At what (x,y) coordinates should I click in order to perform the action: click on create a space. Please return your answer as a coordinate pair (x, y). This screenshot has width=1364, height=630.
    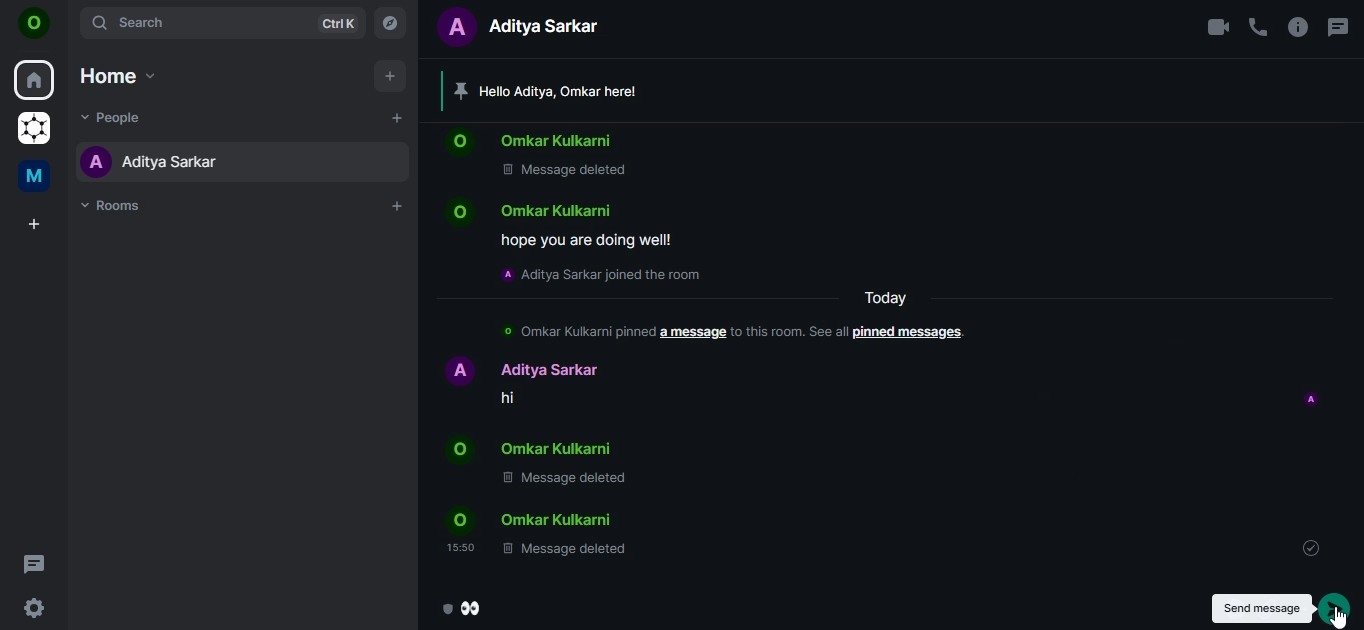
    Looking at the image, I should click on (34, 225).